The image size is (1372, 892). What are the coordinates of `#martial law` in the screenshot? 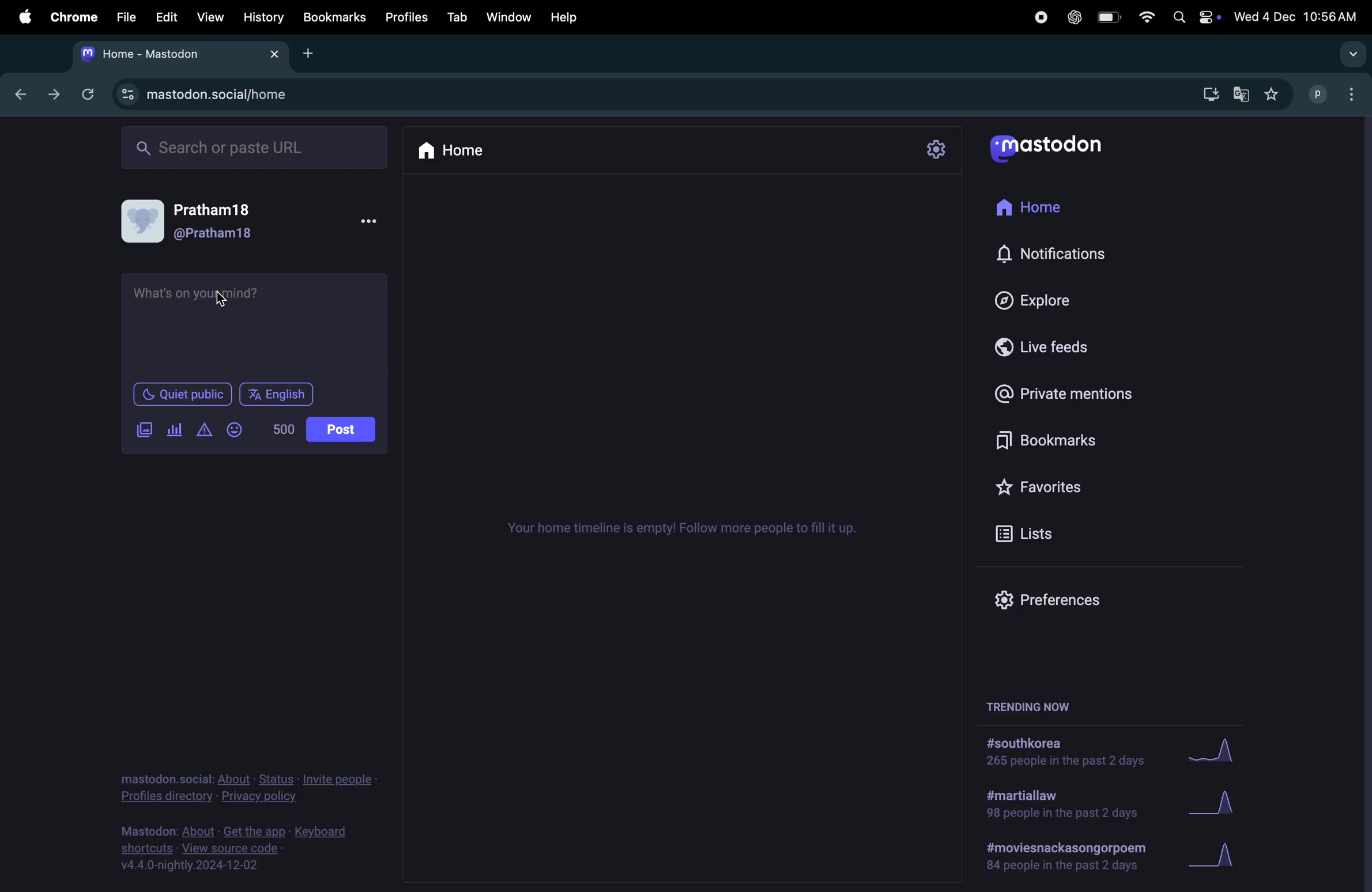 It's located at (1061, 803).